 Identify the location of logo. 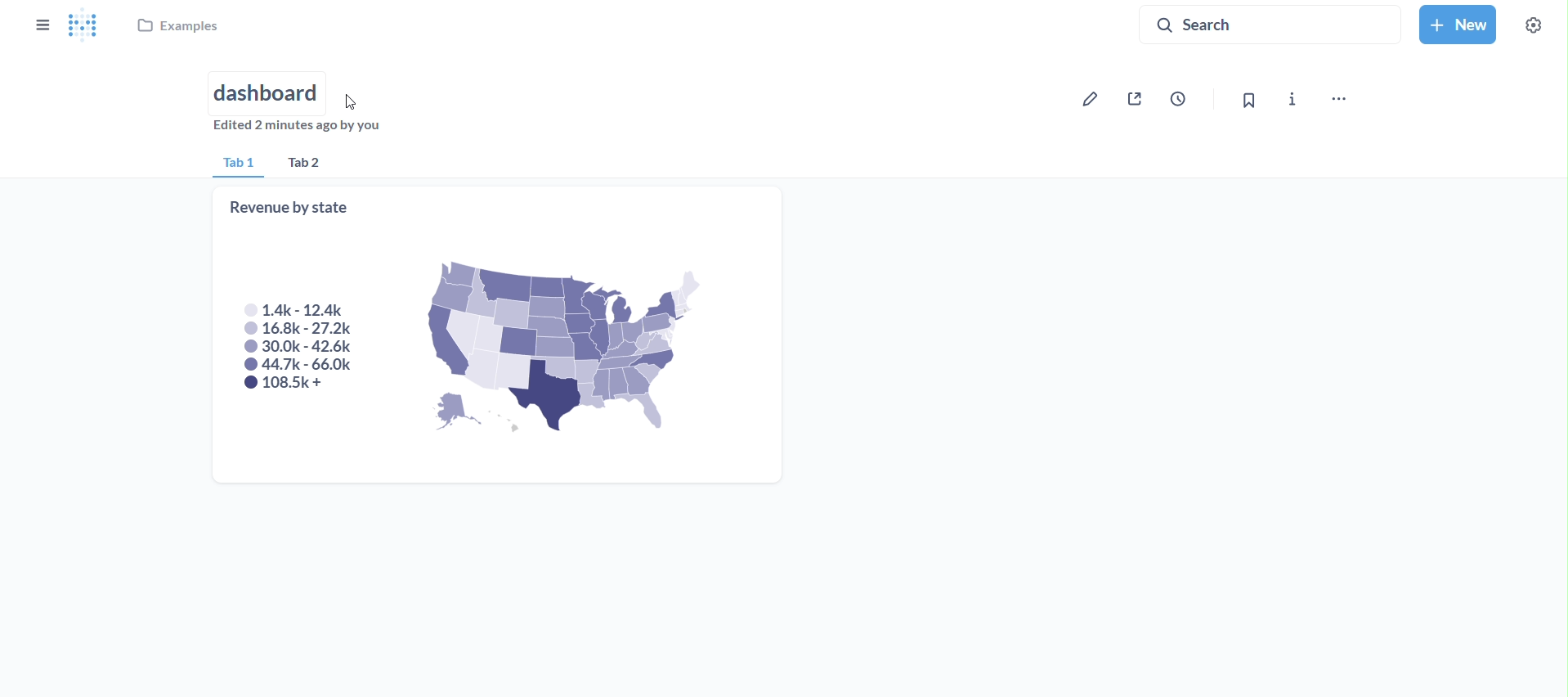
(87, 26).